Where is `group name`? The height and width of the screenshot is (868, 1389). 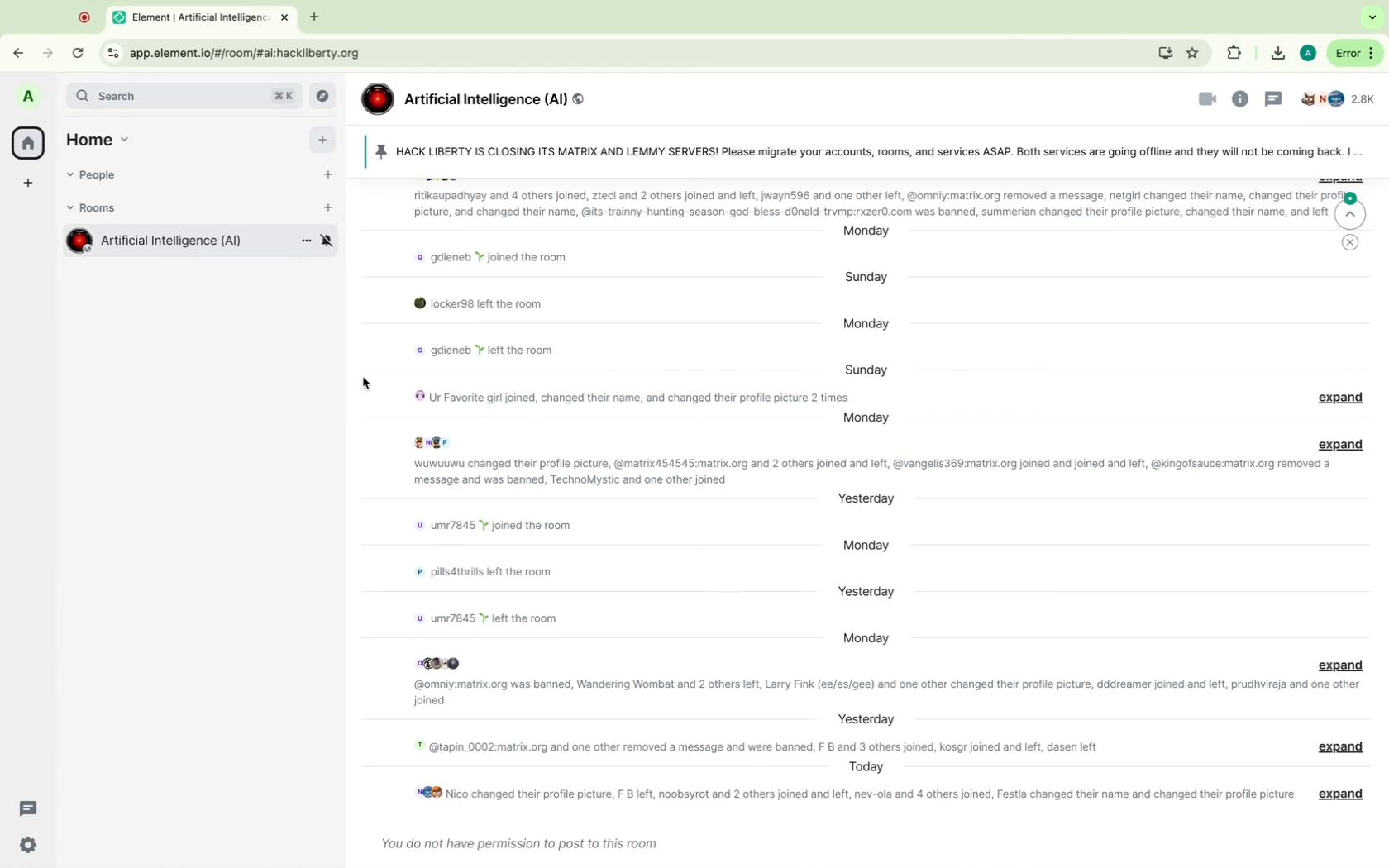
group name is located at coordinates (481, 98).